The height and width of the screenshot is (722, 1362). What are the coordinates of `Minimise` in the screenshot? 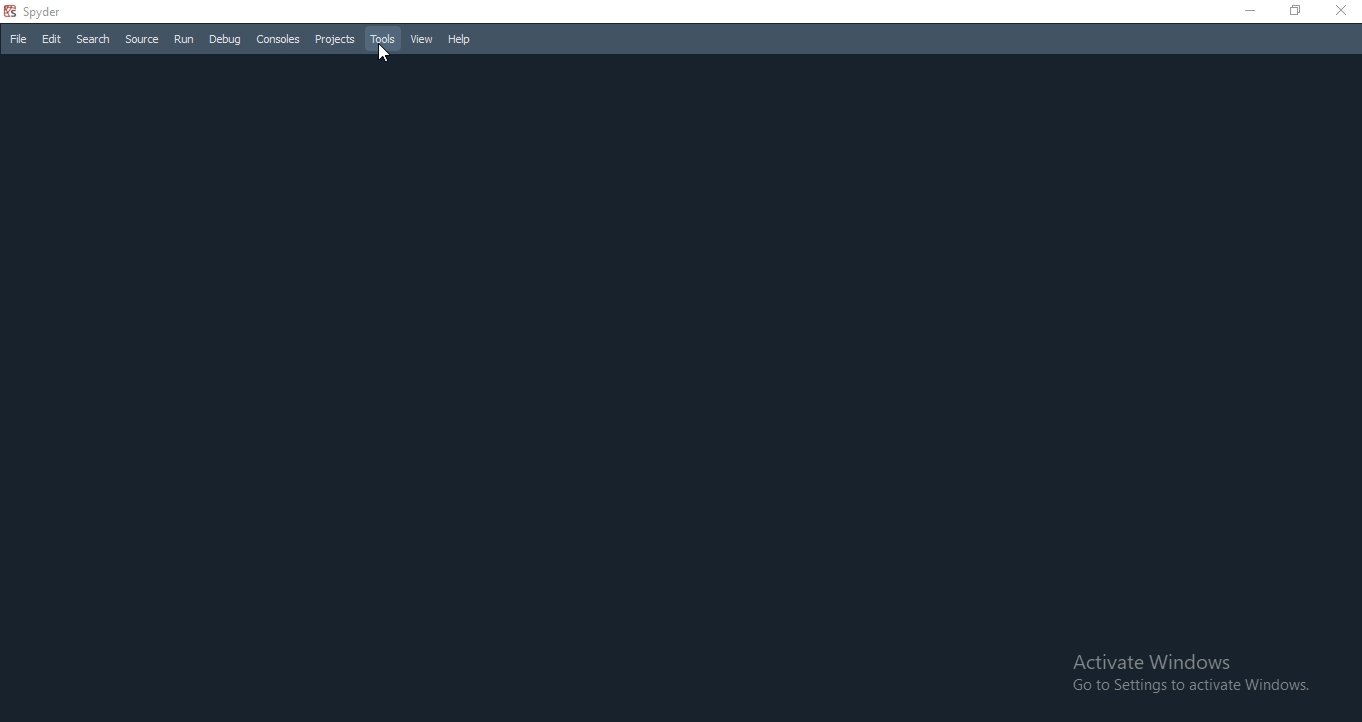 It's located at (1247, 10).